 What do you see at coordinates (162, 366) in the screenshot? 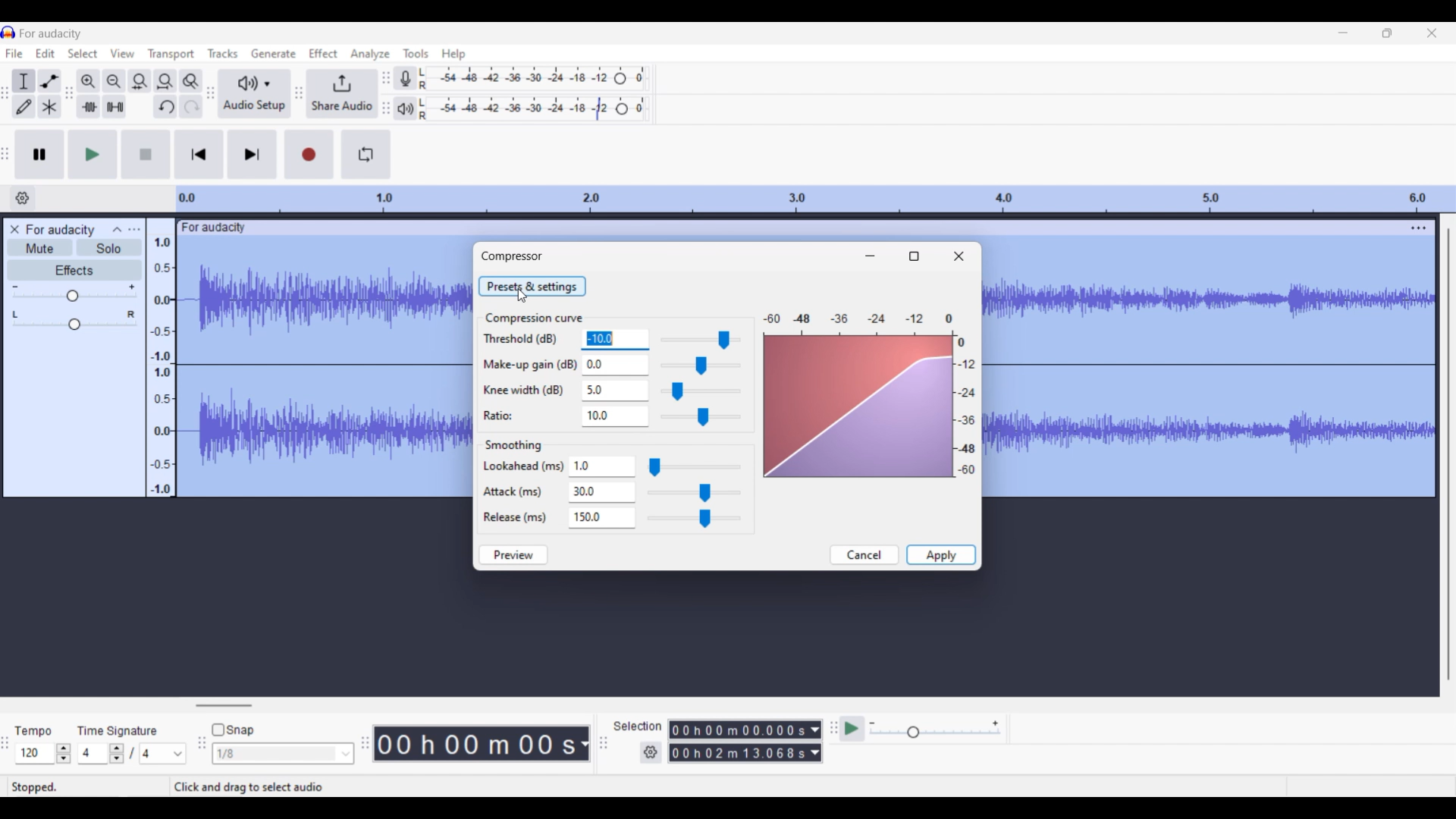
I see `Scale to measure sound intensity` at bounding box center [162, 366].